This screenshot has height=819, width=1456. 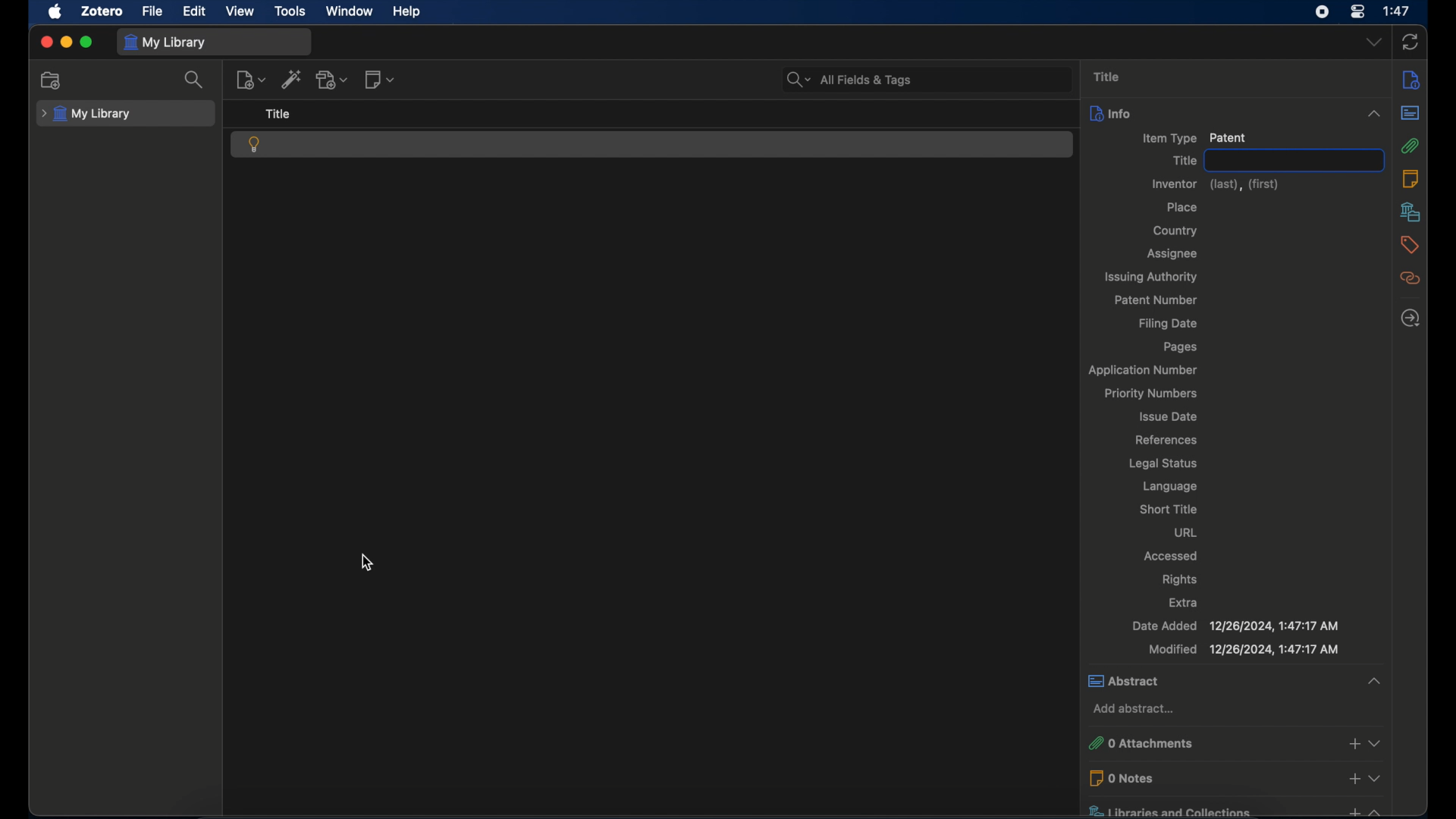 I want to click on patent, so click(x=255, y=144).